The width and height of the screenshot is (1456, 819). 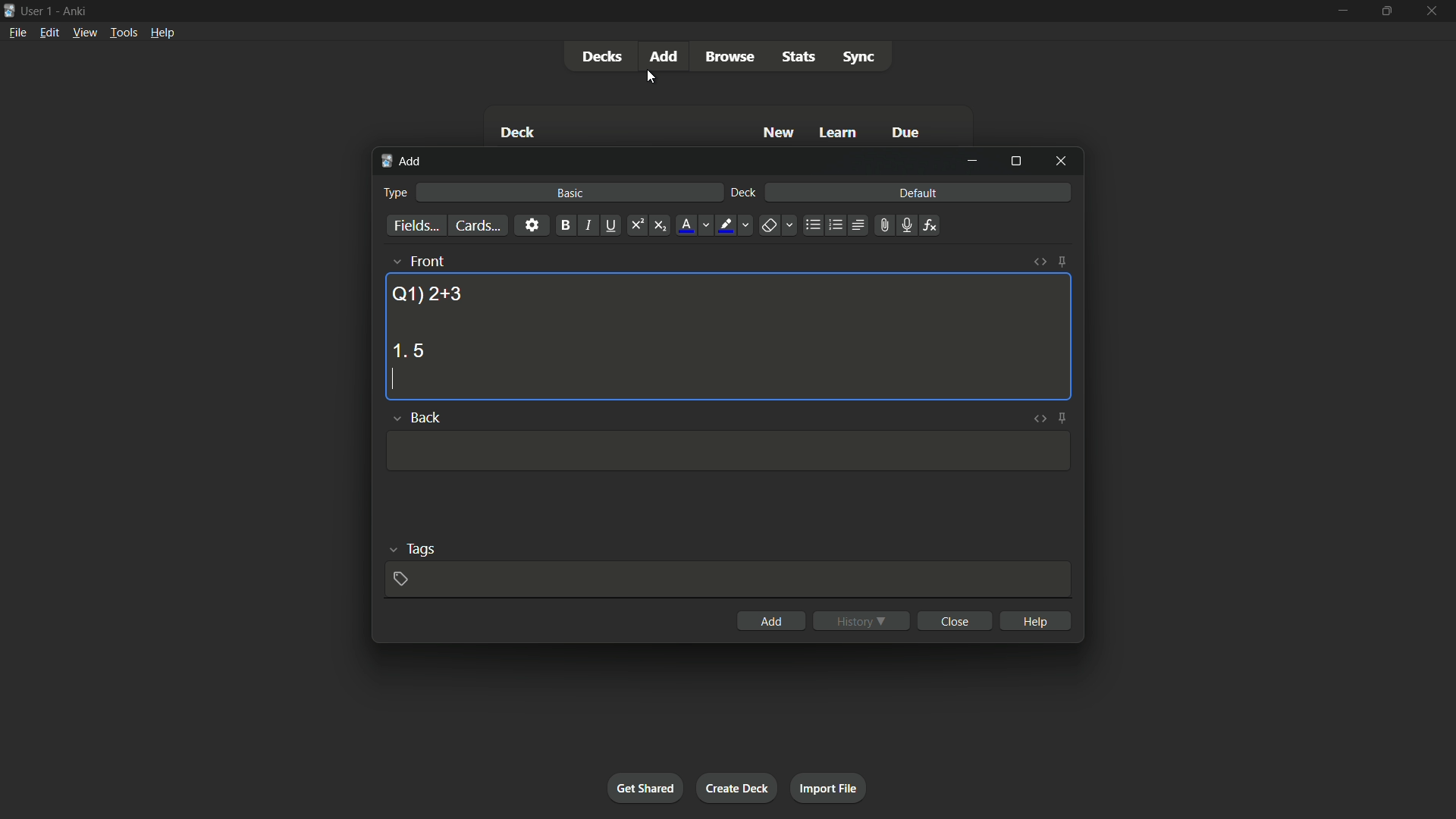 I want to click on learn, so click(x=838, y=133).